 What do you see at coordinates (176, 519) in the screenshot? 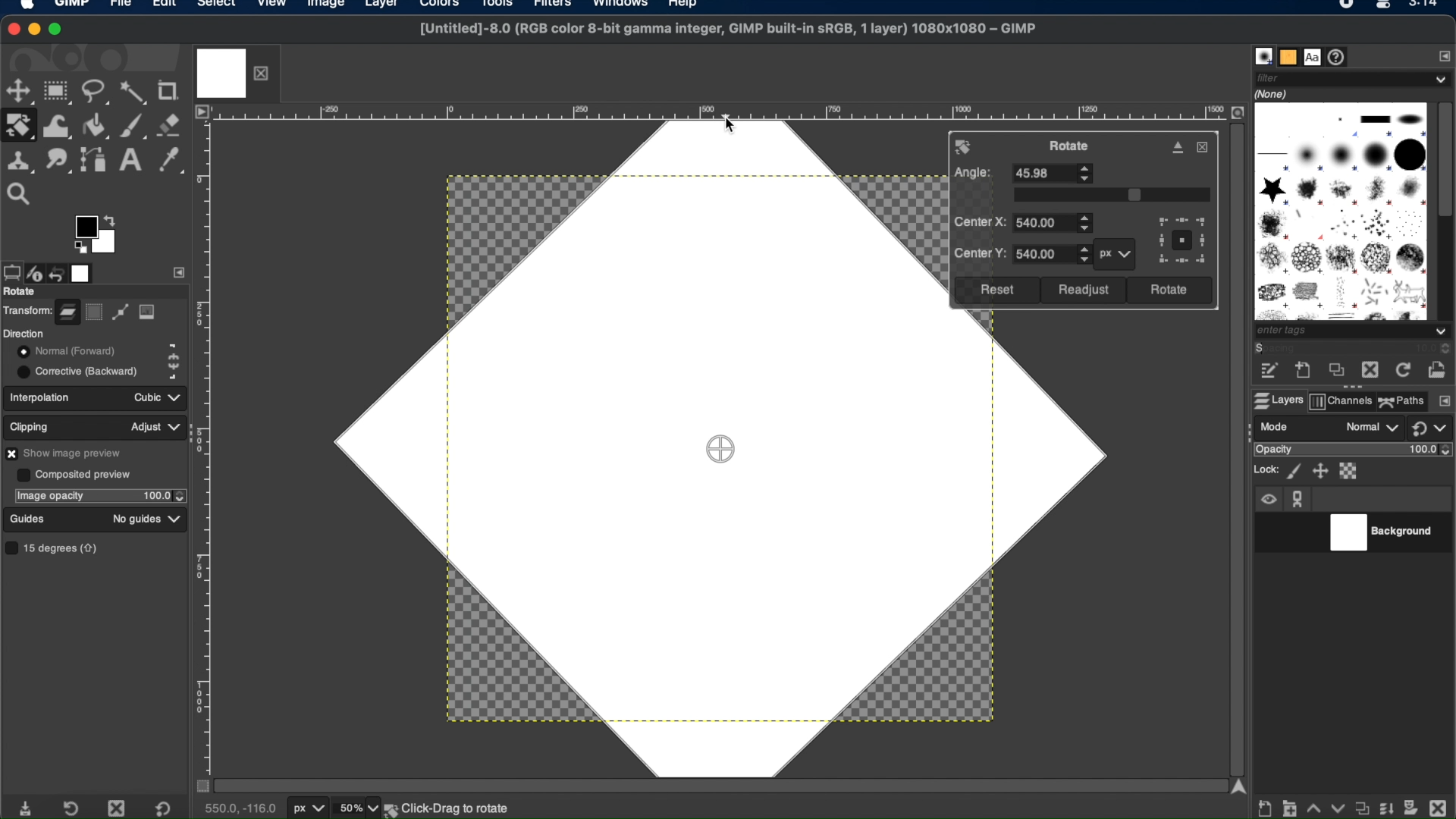
I see `guides dropdown` at bounding box center [176, 519].